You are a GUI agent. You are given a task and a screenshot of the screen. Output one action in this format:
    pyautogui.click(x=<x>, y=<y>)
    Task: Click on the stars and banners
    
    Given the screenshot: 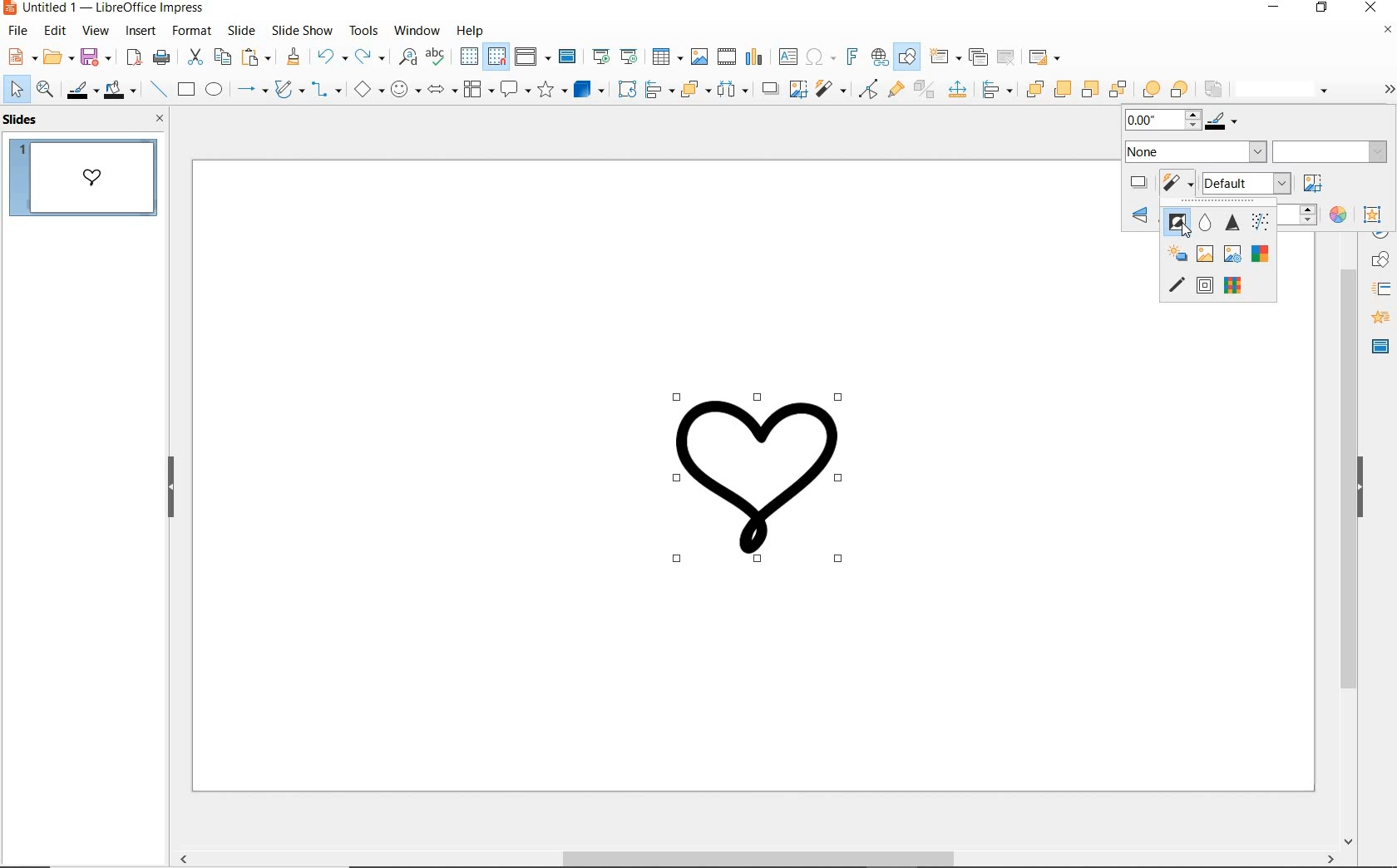 What is the action you would take?
    pyautogui.click(x=550, y=89)
    